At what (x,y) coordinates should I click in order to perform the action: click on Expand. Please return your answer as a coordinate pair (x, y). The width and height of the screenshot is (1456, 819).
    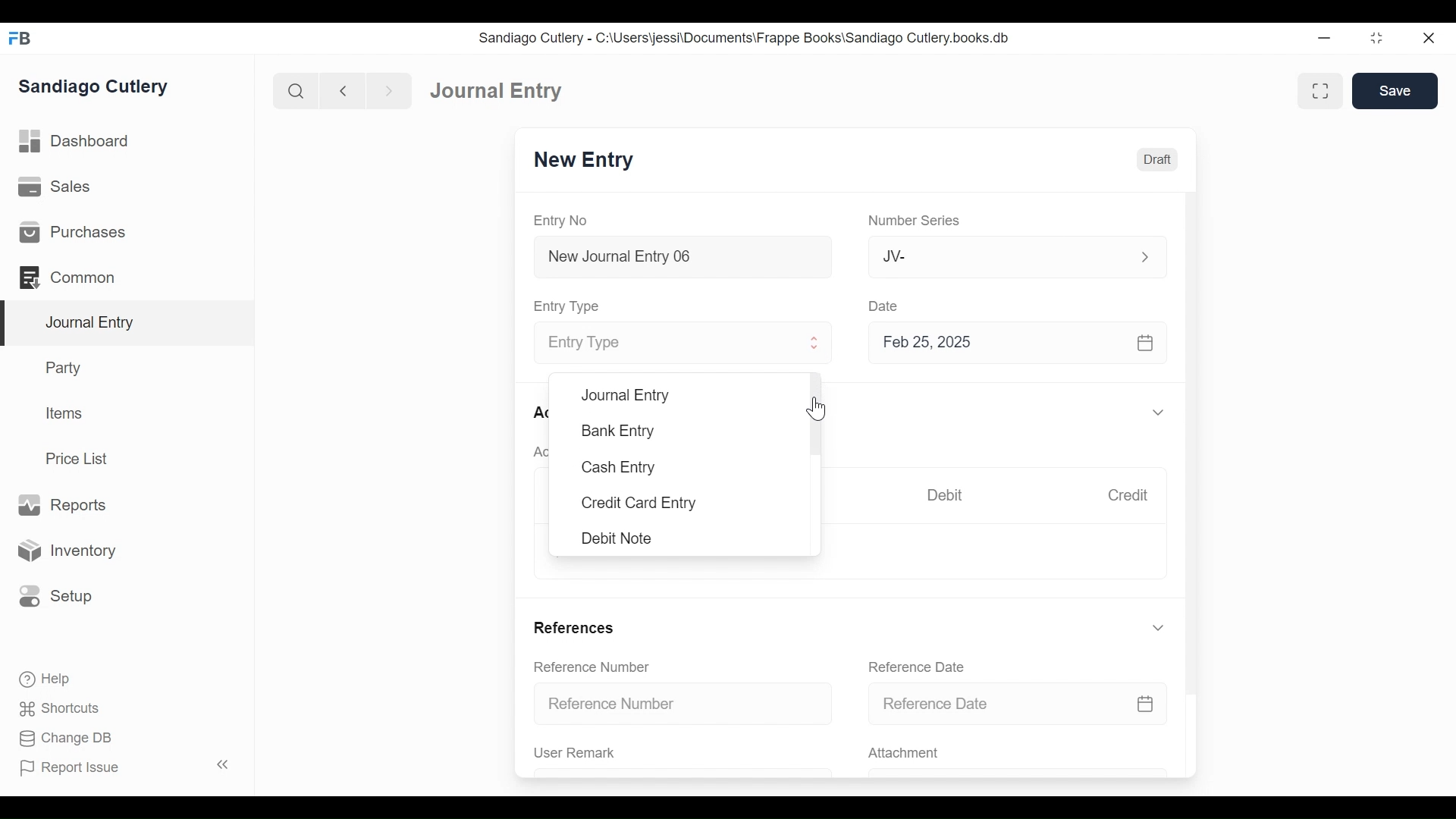
    Looking at the image, I should click on (815, 343).